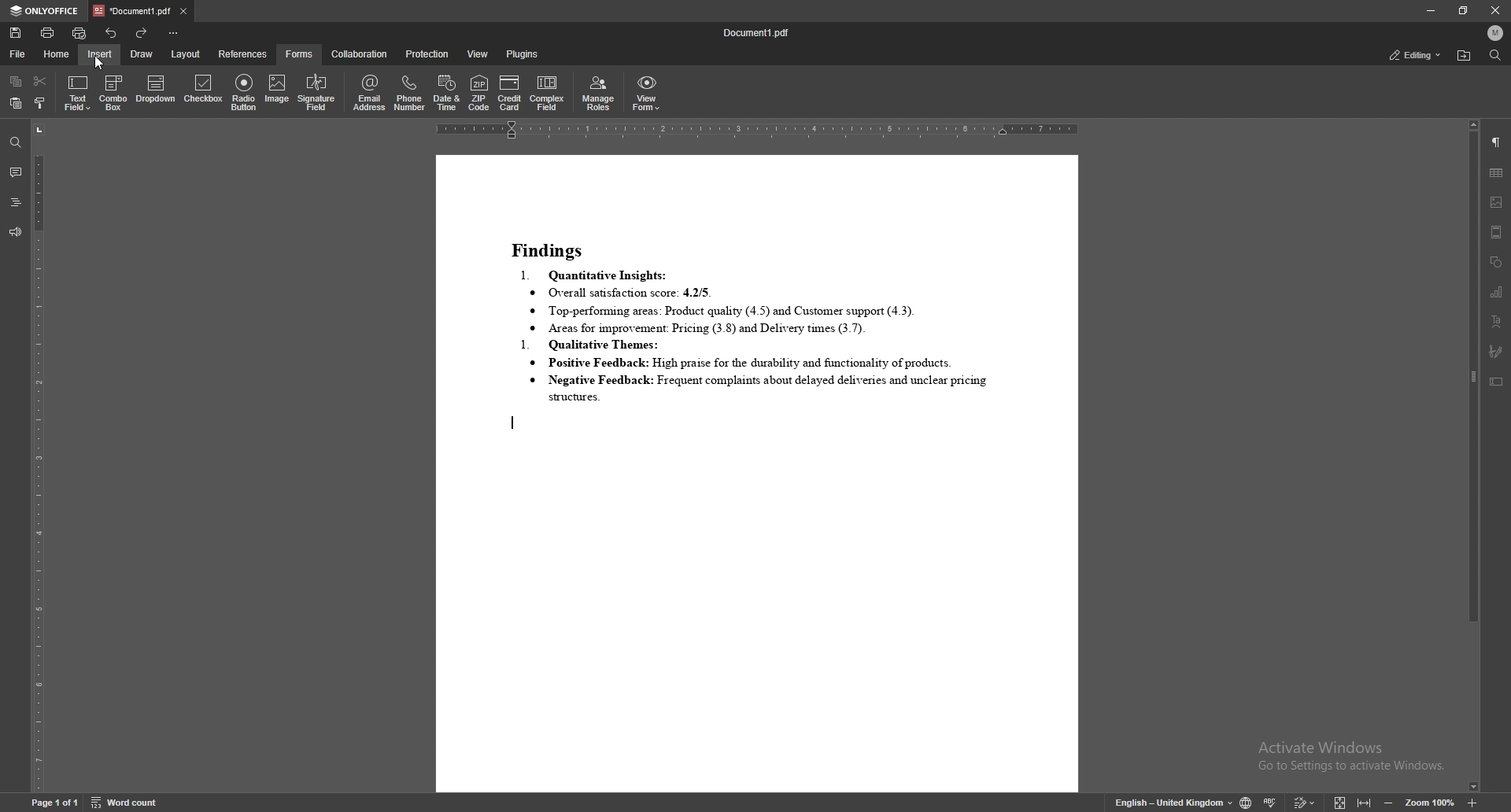 This screenshot has height=812, width=1511. Describe the element at coordinates (18, 54) in the screenshot. I see `file` at that location.